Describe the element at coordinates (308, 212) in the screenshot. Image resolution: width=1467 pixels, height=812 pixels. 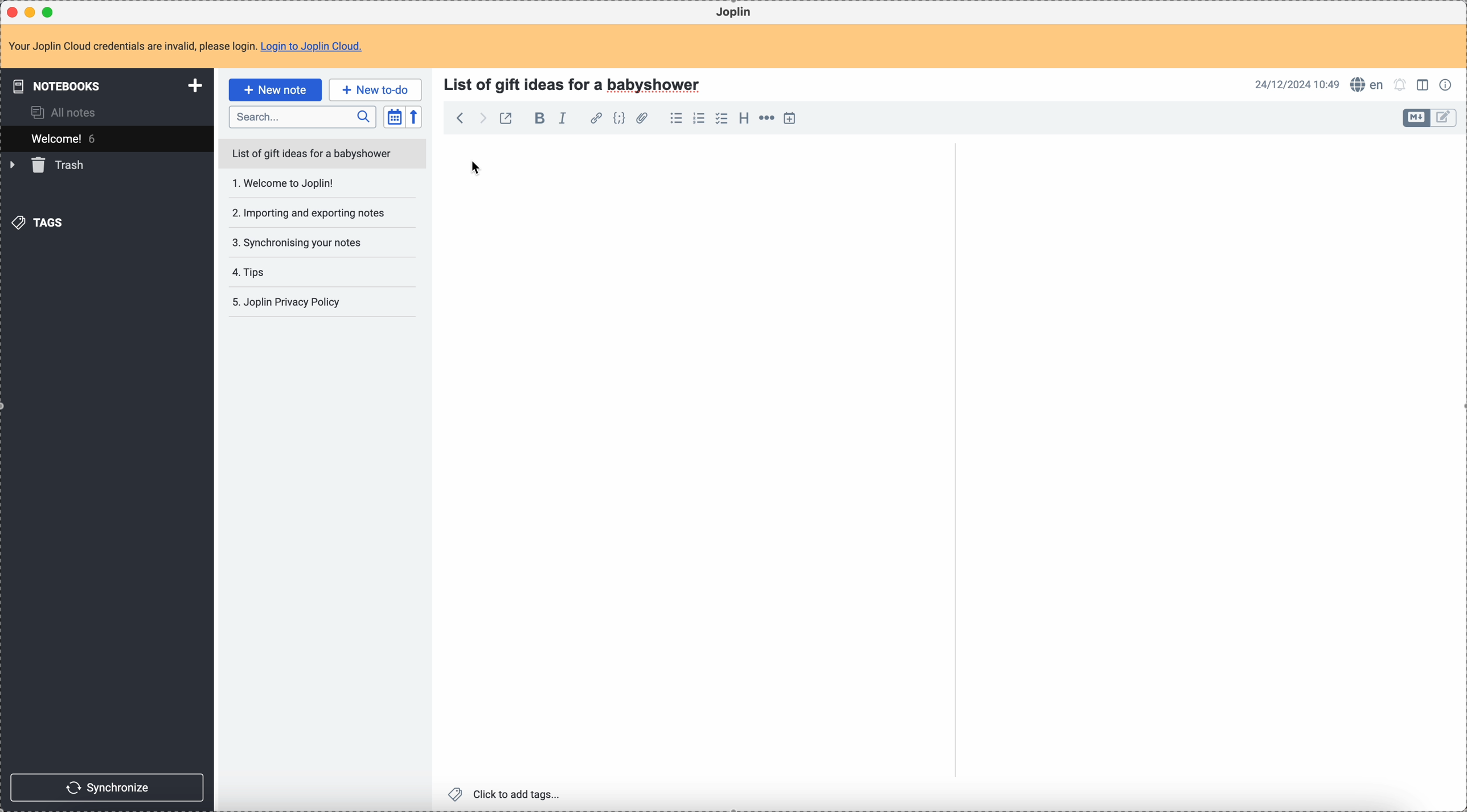
I see `importing and exporting notes` at that location.